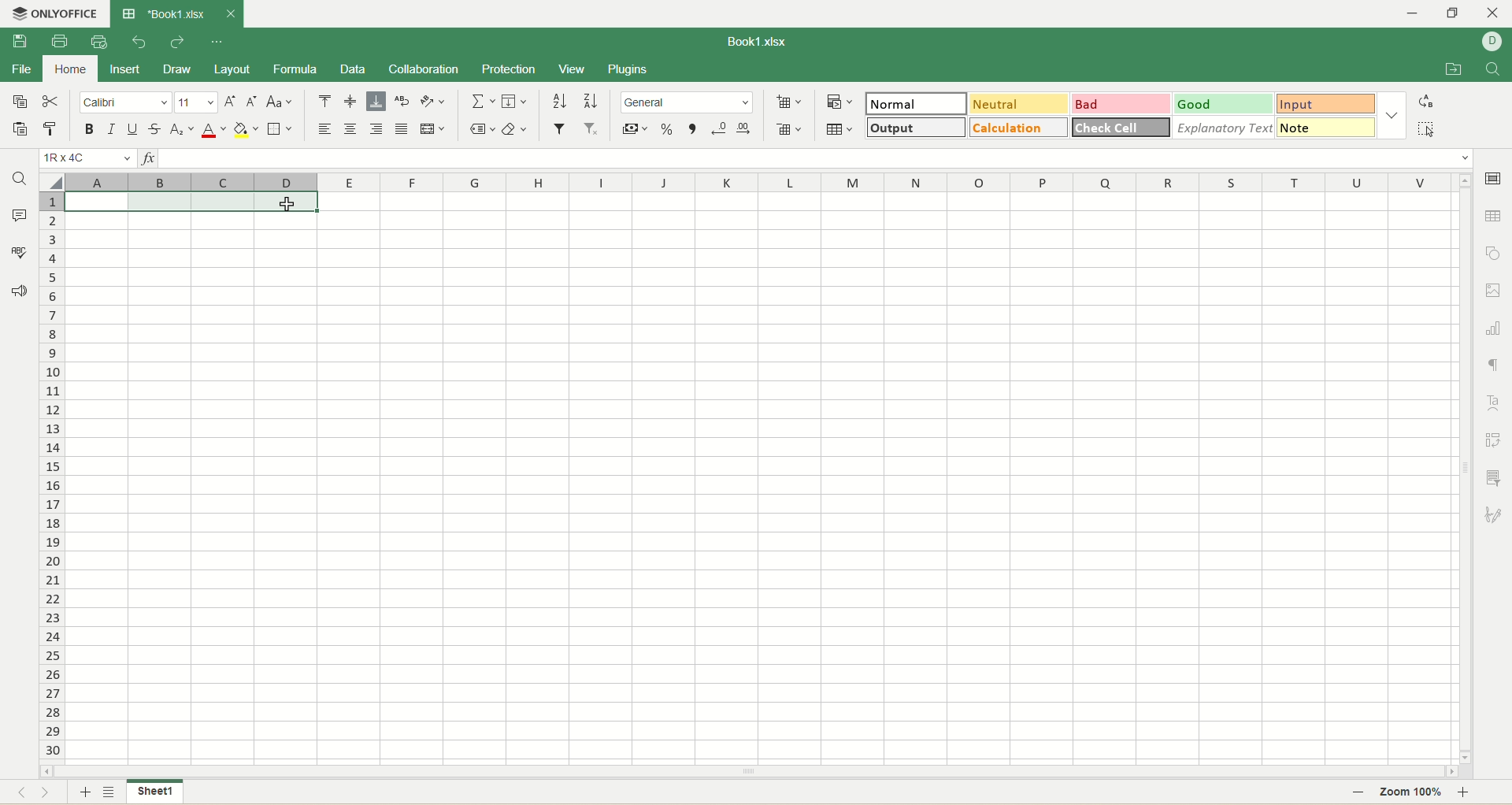 This screenshot has width=1512, height=805. What do you see at coordinates (350, 131) in the screenshot?
I see `align center` at bounding box center [350, 131].